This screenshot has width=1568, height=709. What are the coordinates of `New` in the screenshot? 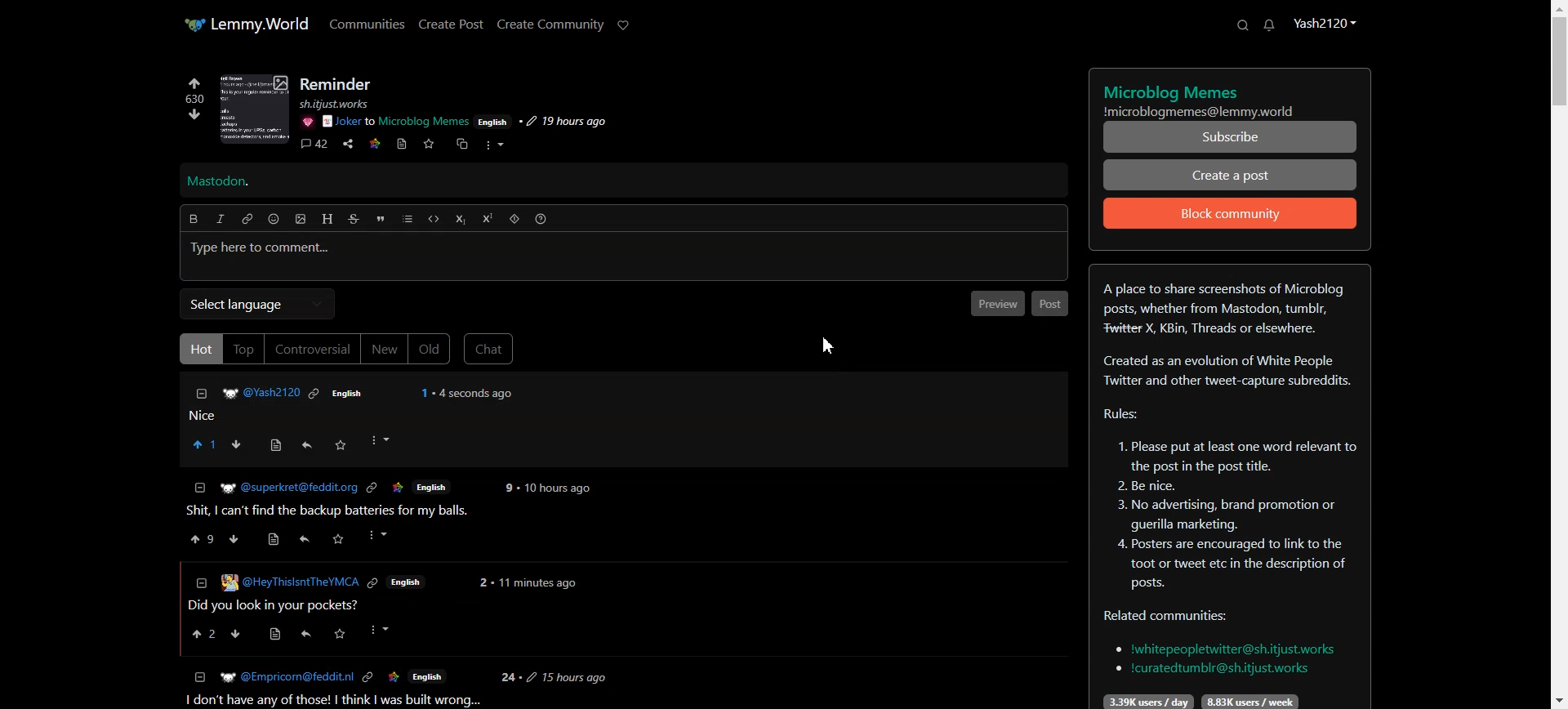 It's located at (384, 349).